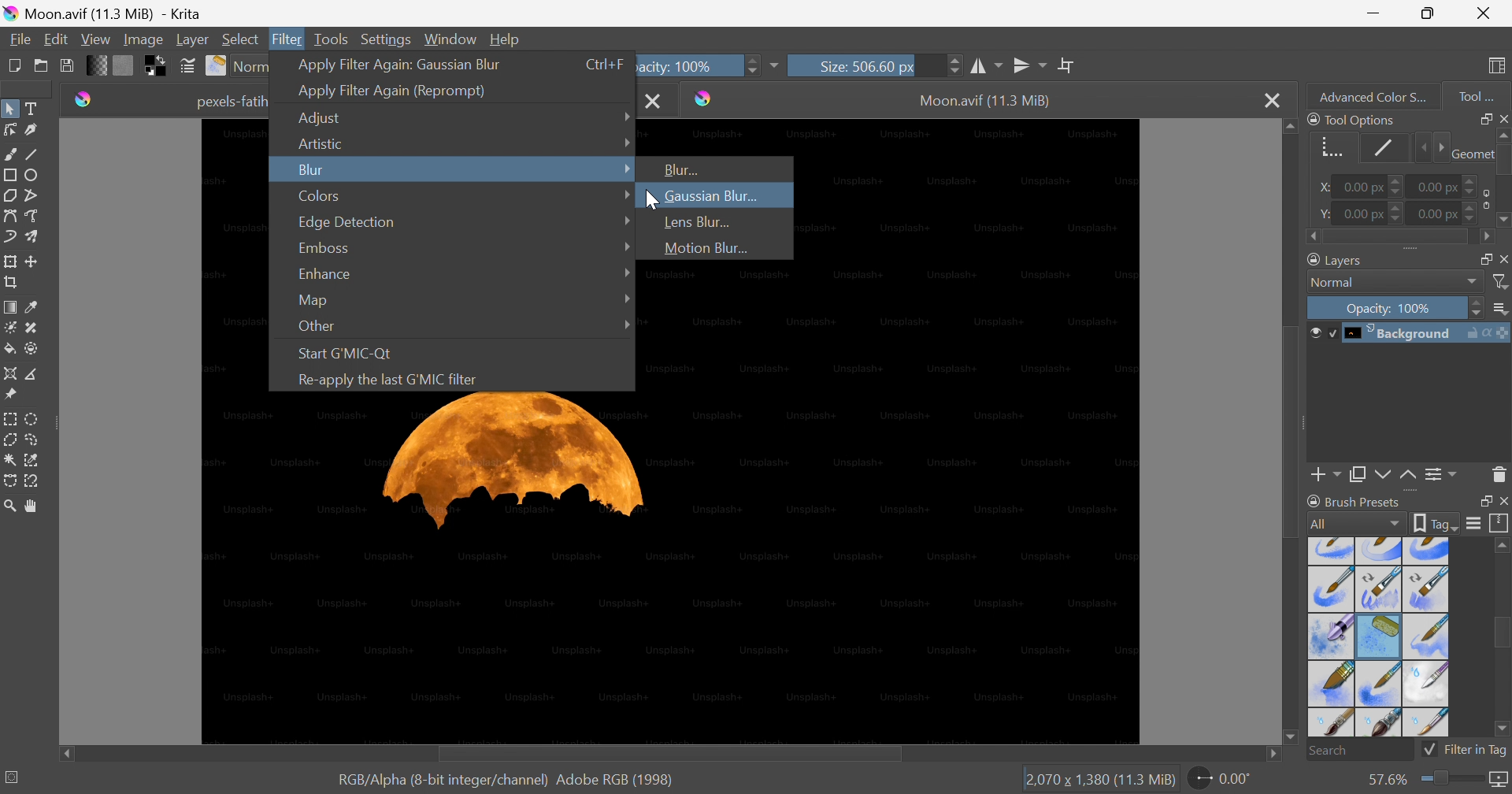 Image resolution: width=1512 pixels, height=794 pixels. I want to click on Open and existing document, so click(42, 65).